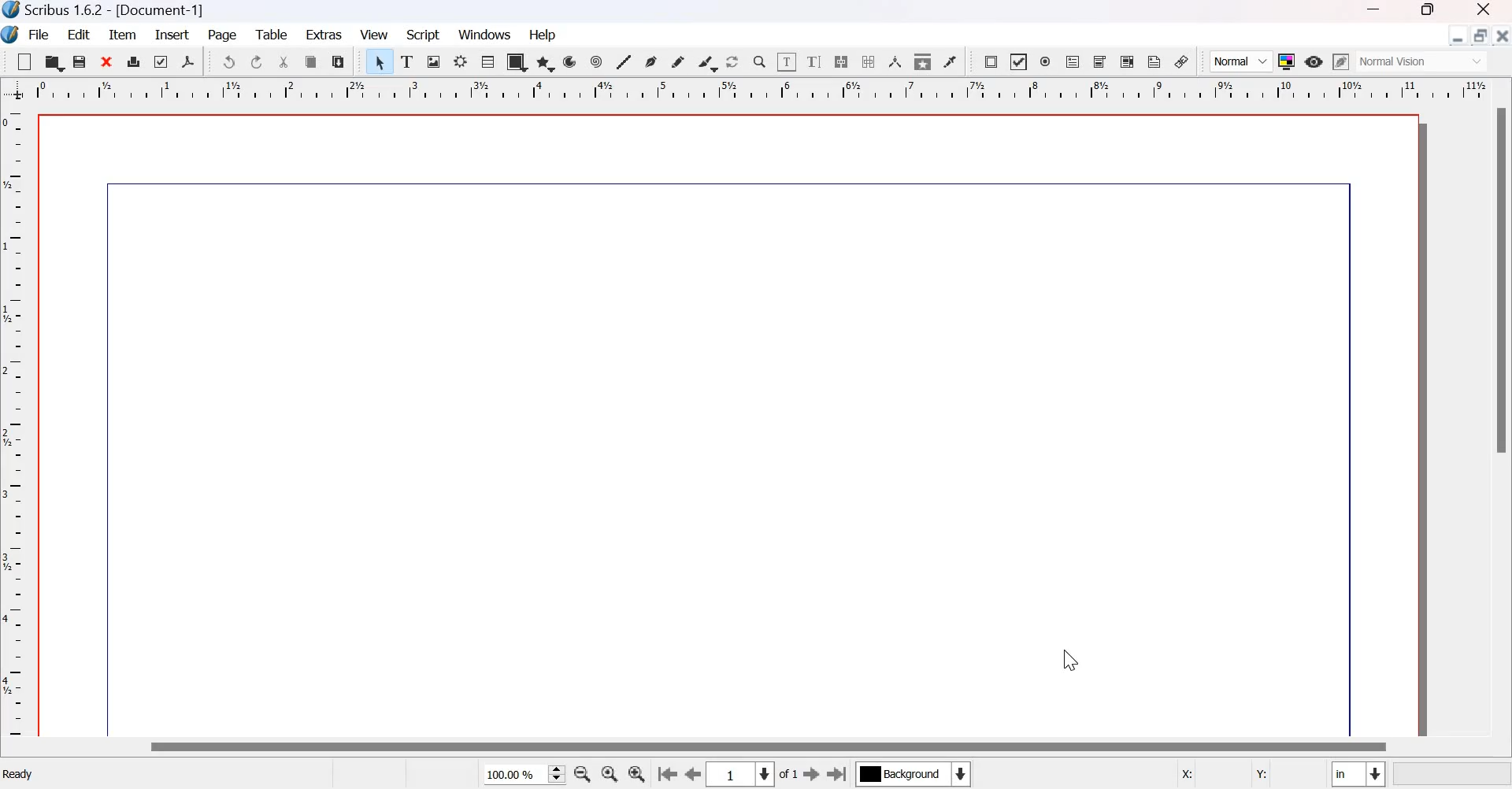  What do you see at coordinates (1155, 62) in the screenshot?
I see `Text Annotation` at bounding box center [1155, 62].